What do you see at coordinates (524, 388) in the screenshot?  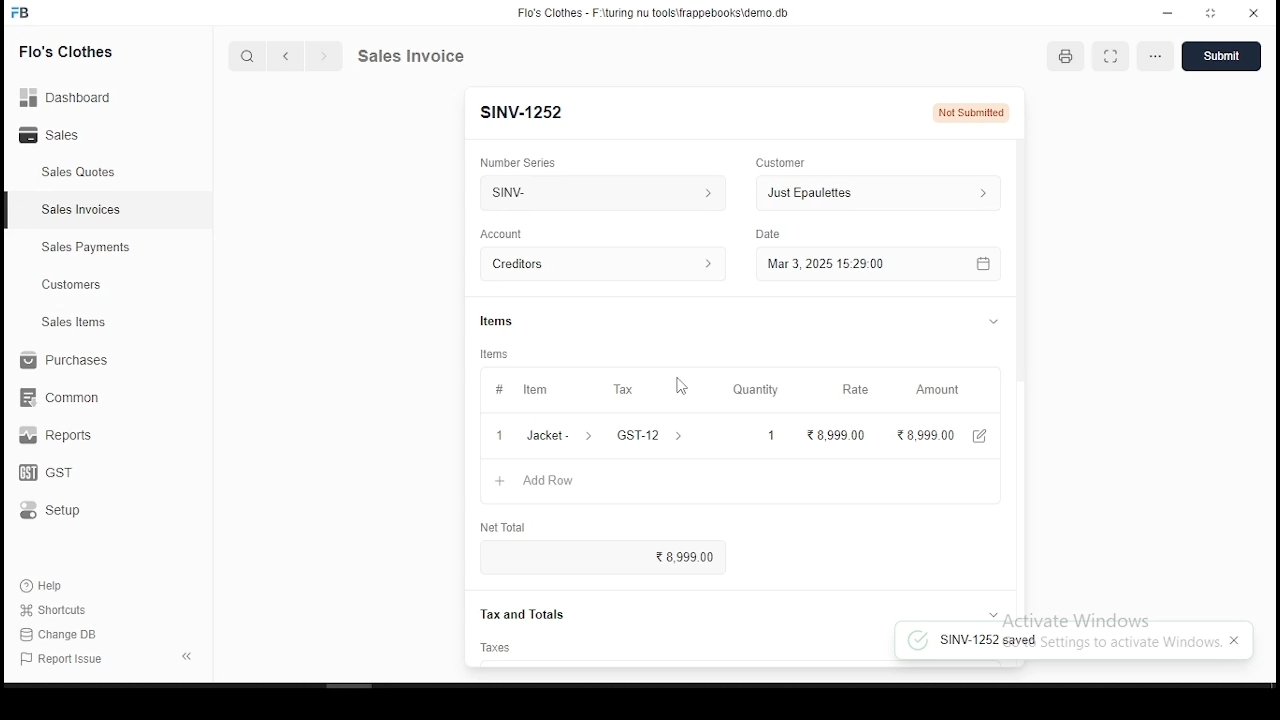 I see `item` at bounding box center [524, 388].